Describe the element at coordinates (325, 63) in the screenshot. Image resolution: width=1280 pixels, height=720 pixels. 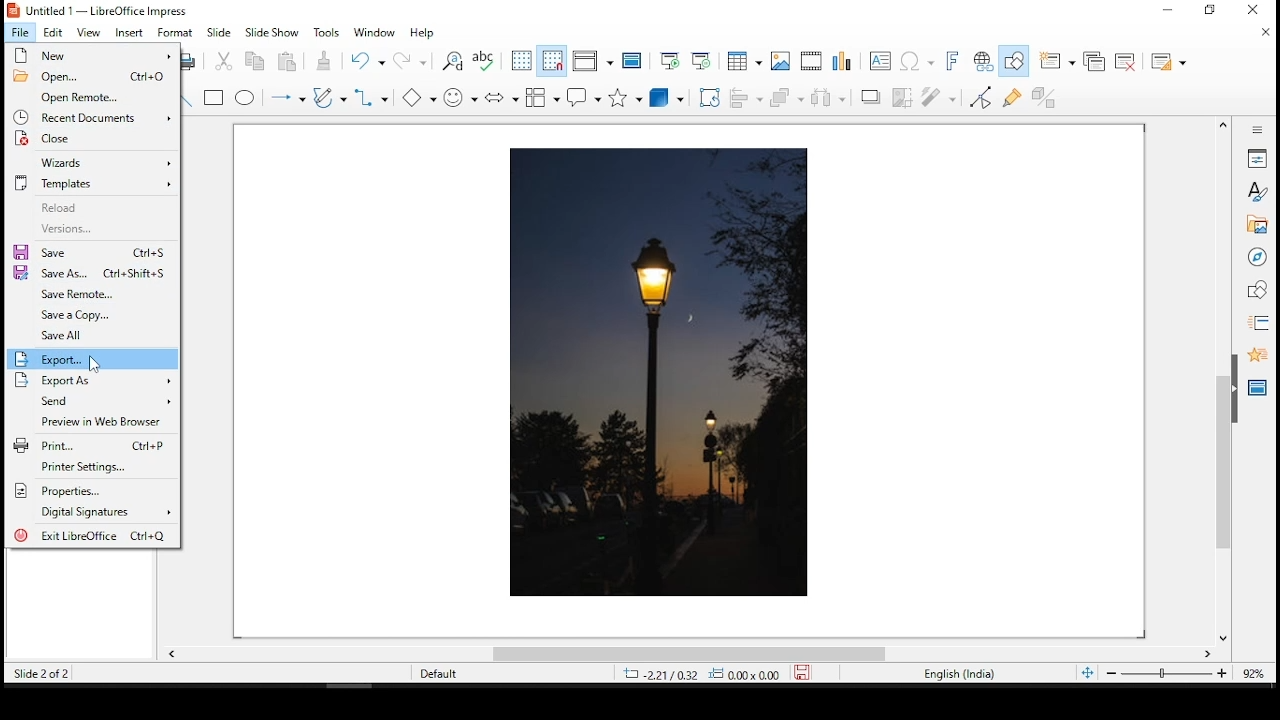
I see `paste` at that location.